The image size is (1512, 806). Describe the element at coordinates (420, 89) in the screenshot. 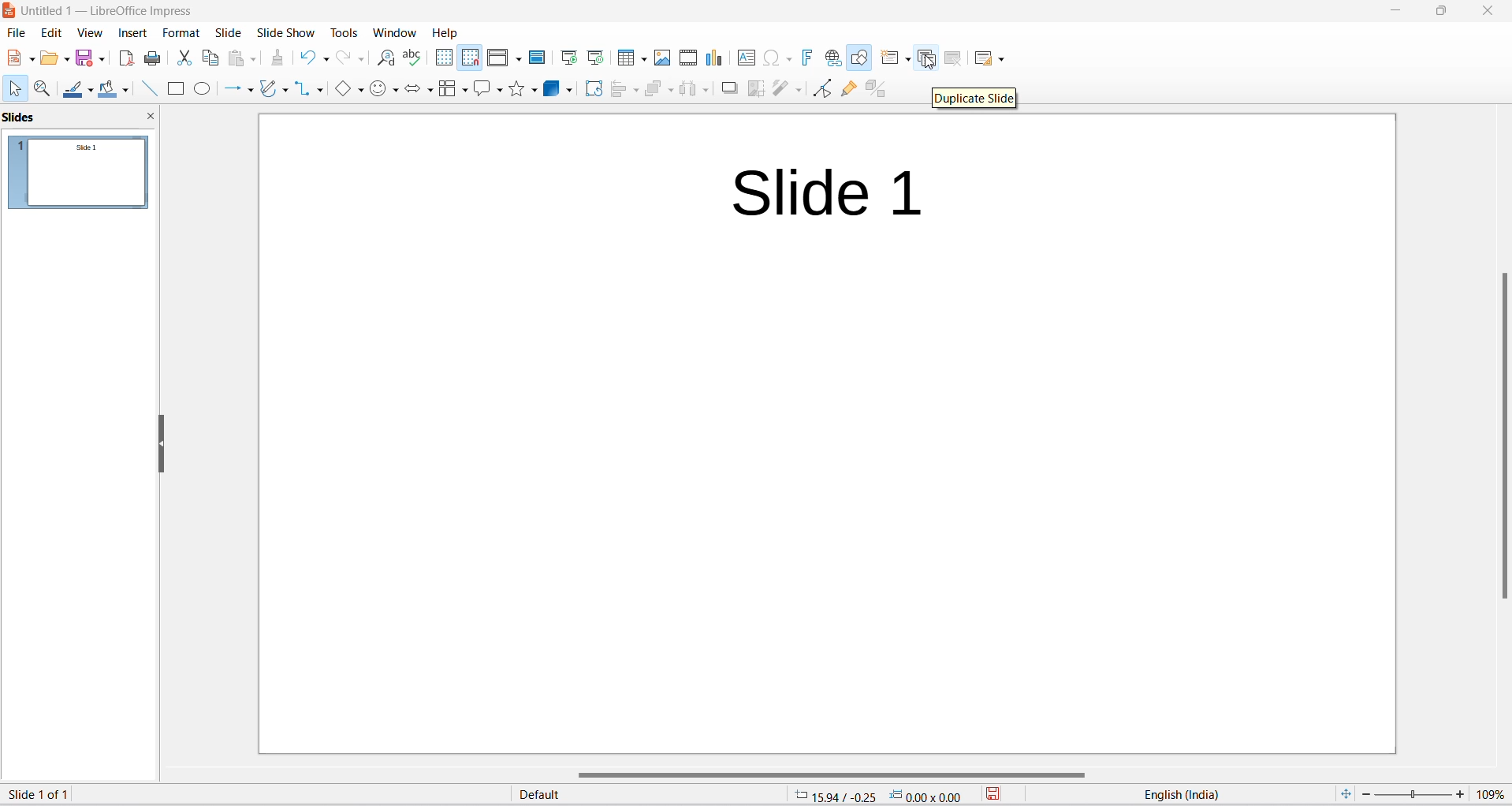

I see `block arrows` at that location.